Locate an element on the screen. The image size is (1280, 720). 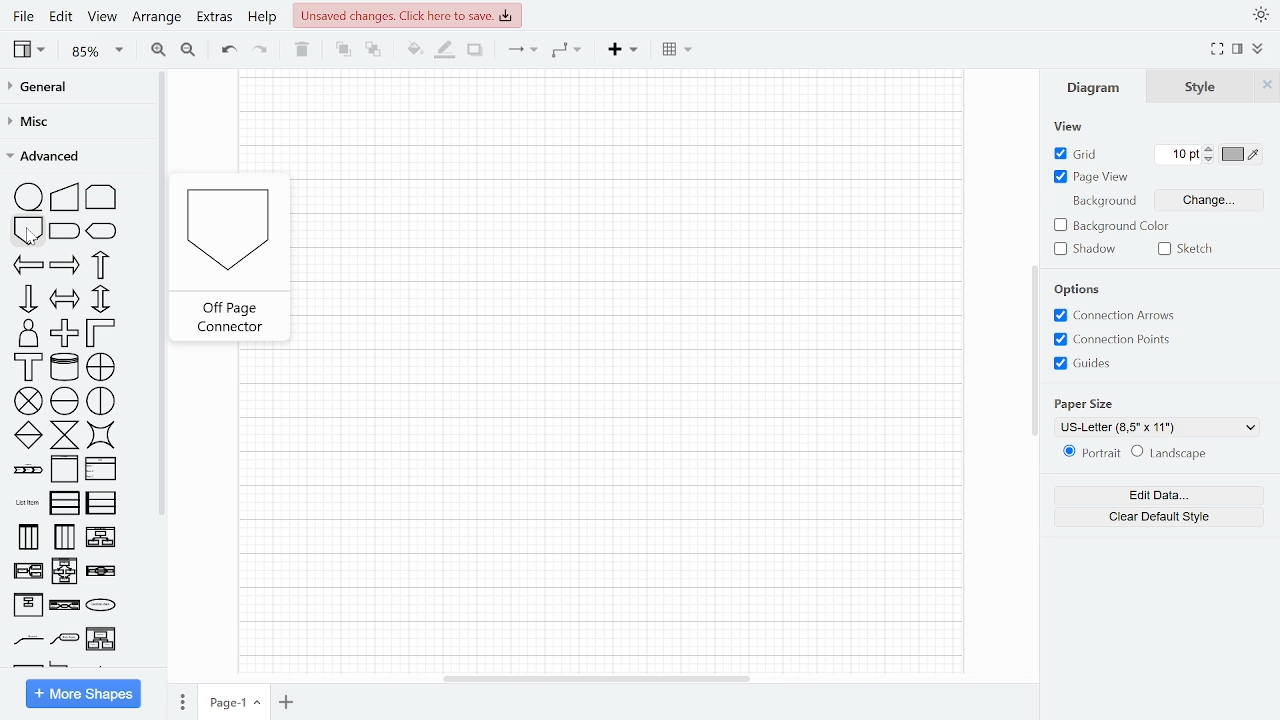
arrow right is located at coordinates (65, 267).